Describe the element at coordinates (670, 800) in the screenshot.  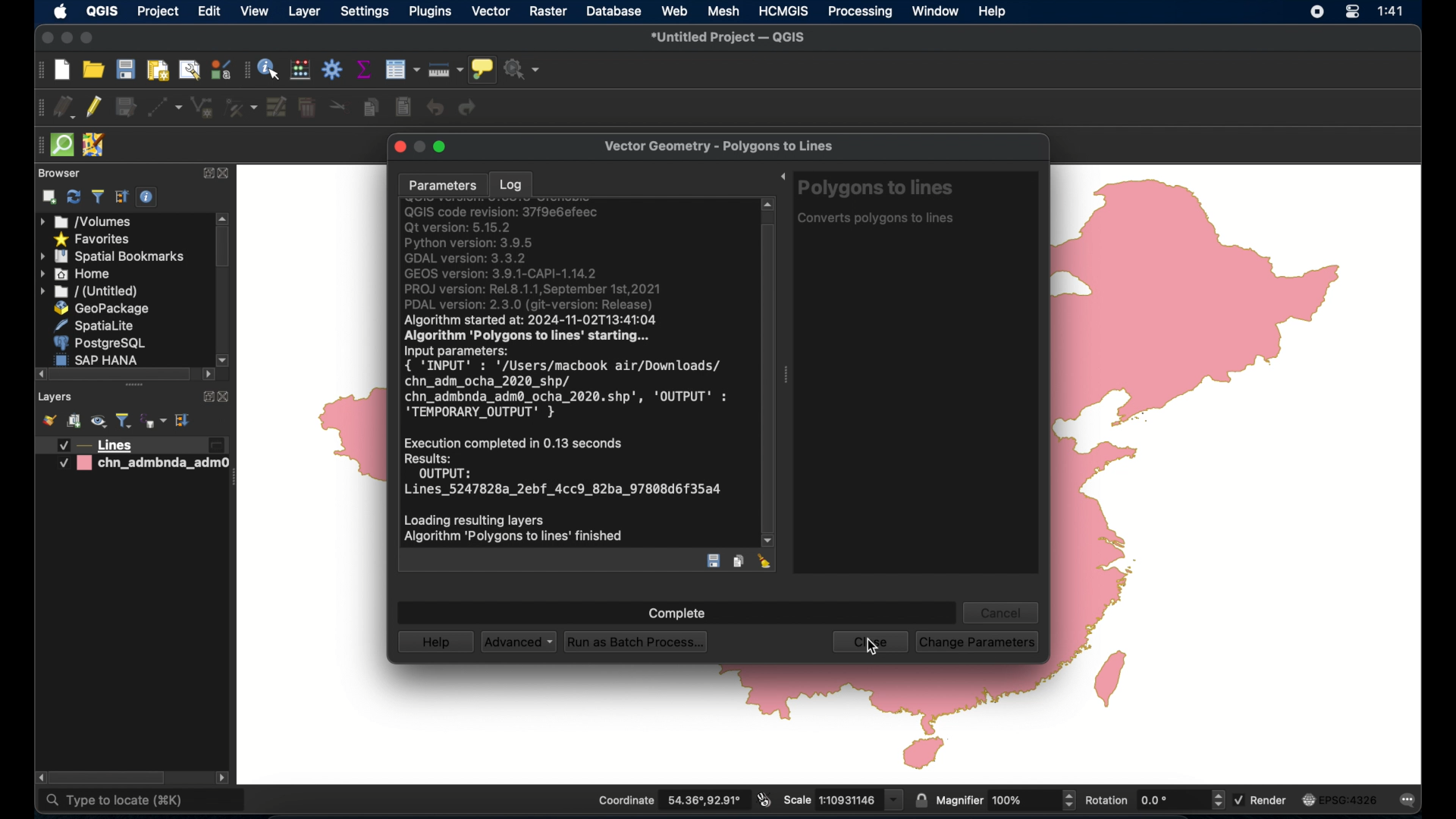
I see `coordinate` at that location.